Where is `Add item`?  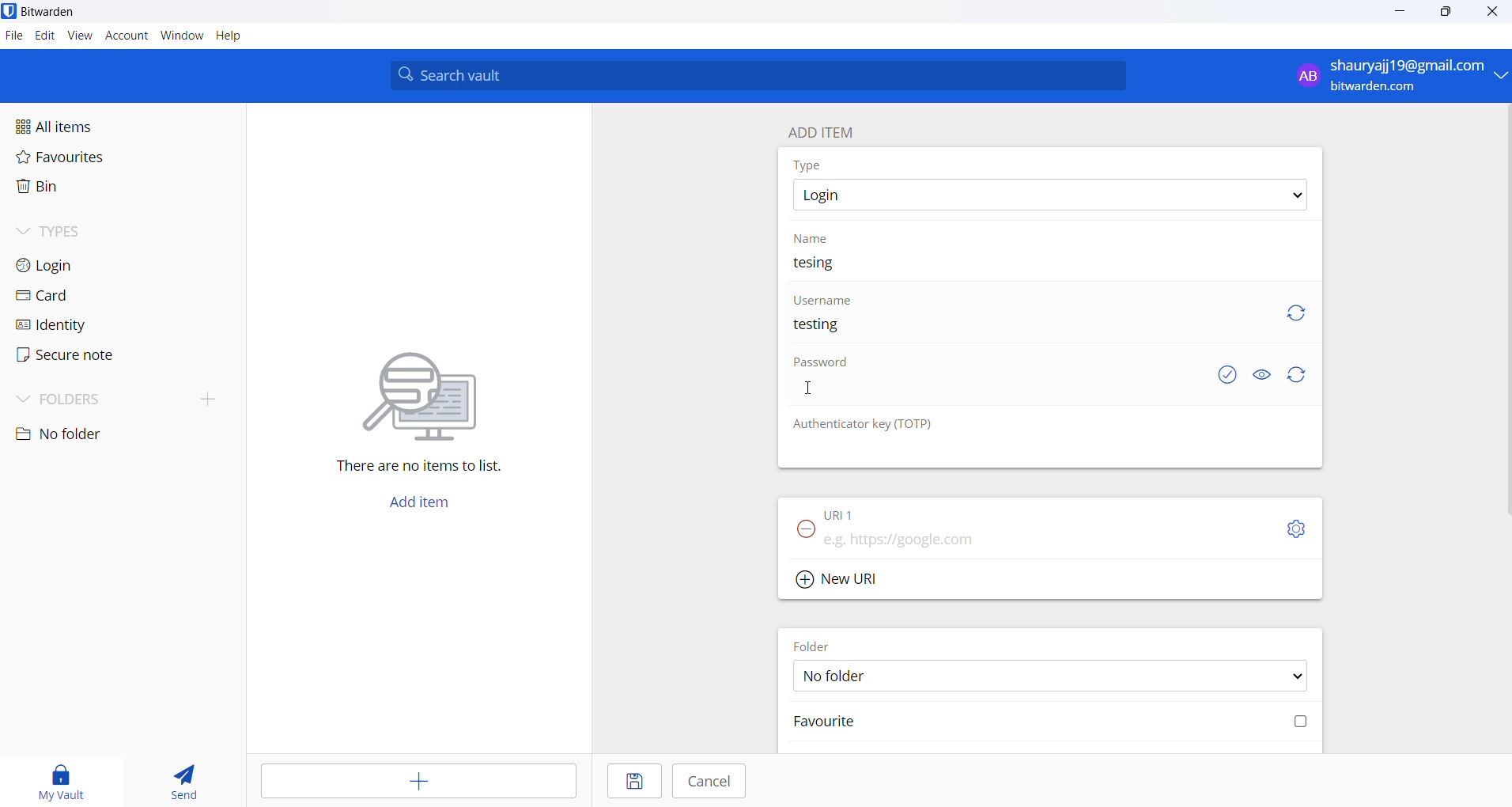
Add item is located at coordinates (418, 506).